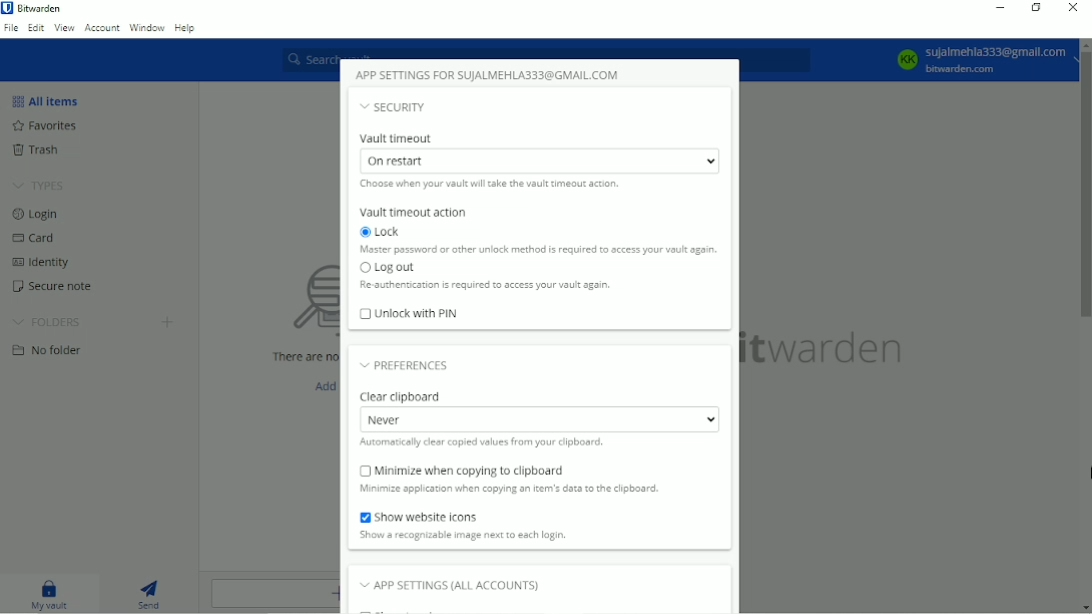  What do you see at coordinates (36, 150) in the screenshot?
I see `Trash` at bounding box center [36, 150].